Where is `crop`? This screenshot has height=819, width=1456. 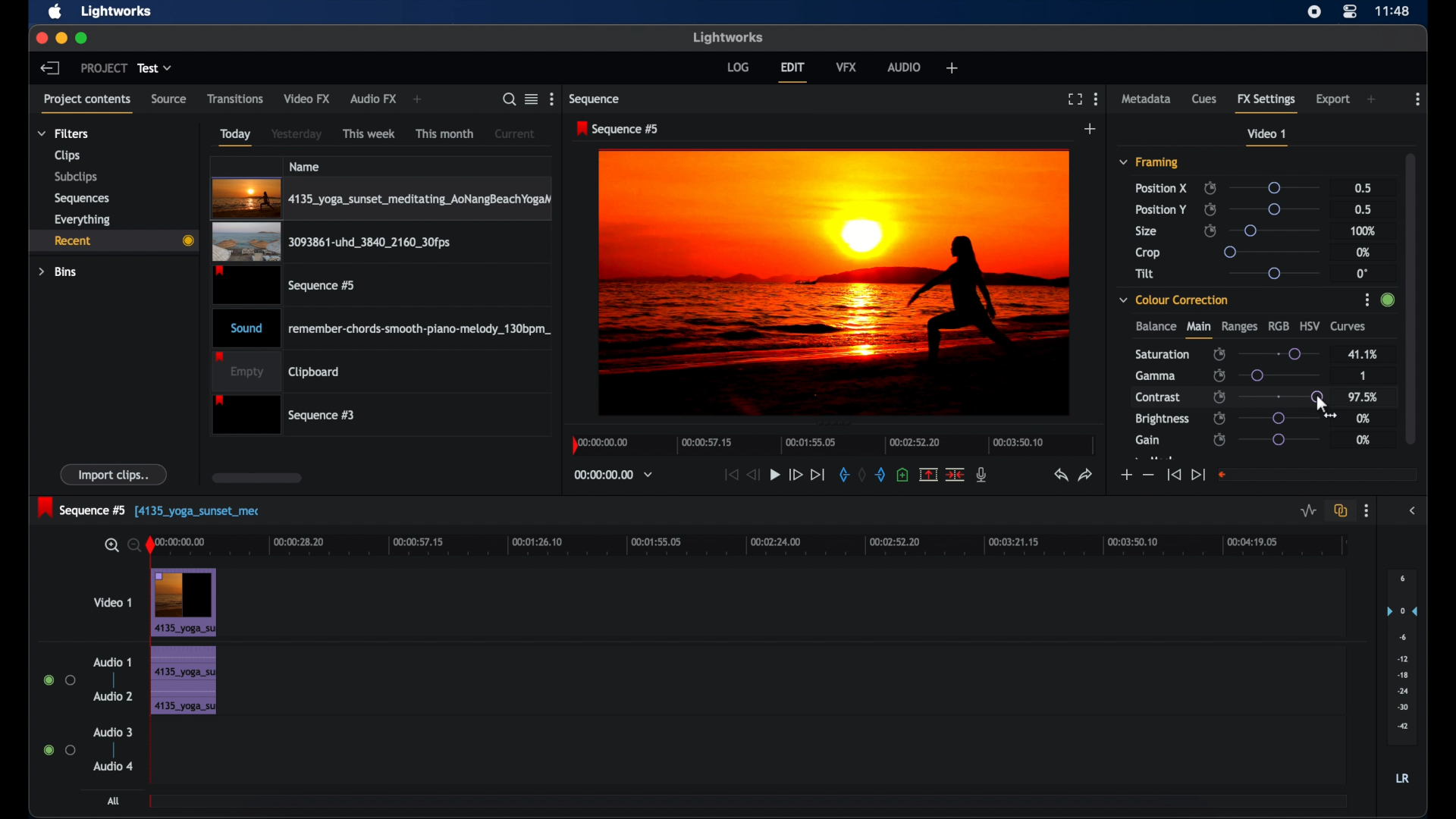 crop is located at coordinates (1148, 253).